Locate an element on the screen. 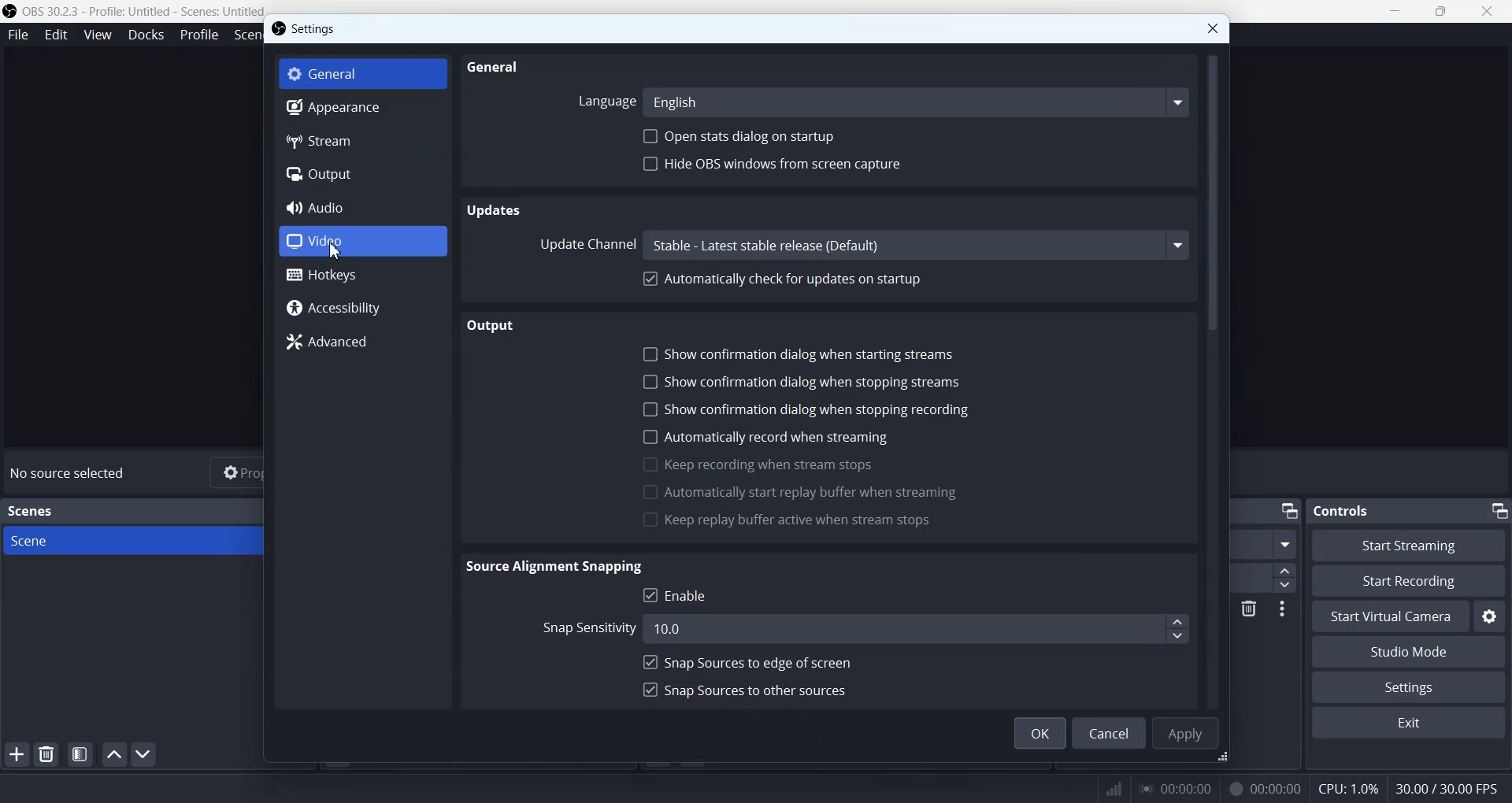 Image resolution: width=1512 pixels, height=803 pixels. Profile is located at coordinates (197, 36).